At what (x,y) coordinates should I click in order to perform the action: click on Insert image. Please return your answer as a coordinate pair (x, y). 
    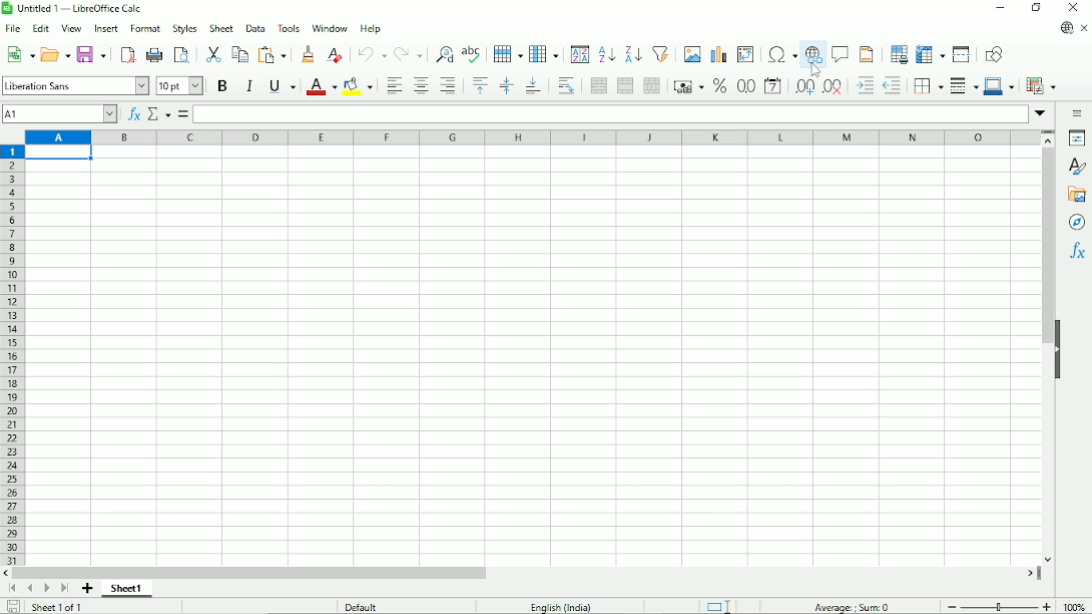
    Looking at the image, I should click on (691, 53).